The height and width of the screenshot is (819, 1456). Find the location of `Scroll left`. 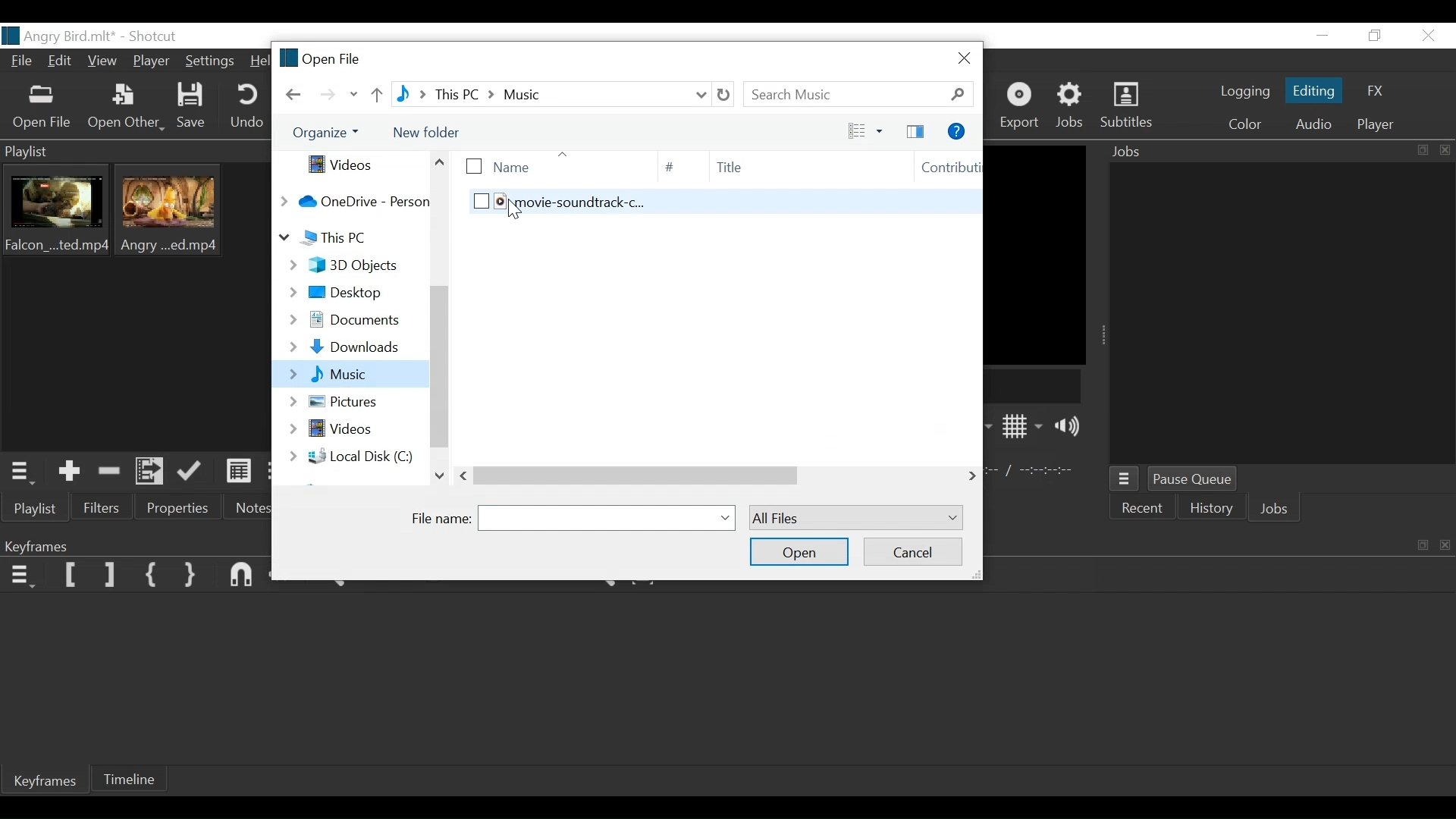

Scroll left is located at coordinates (466, 475).